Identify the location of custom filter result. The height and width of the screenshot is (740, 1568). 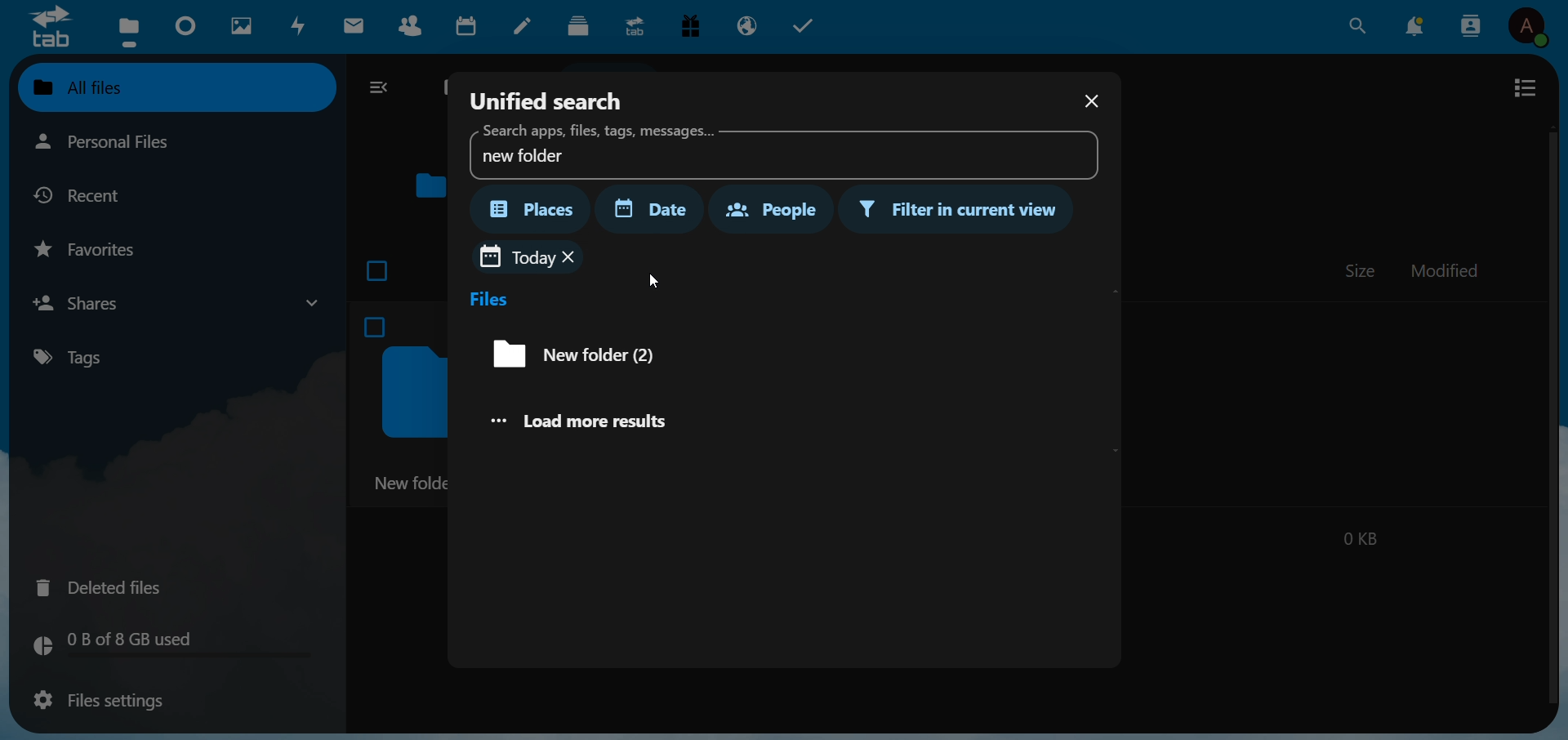
(582, 354).